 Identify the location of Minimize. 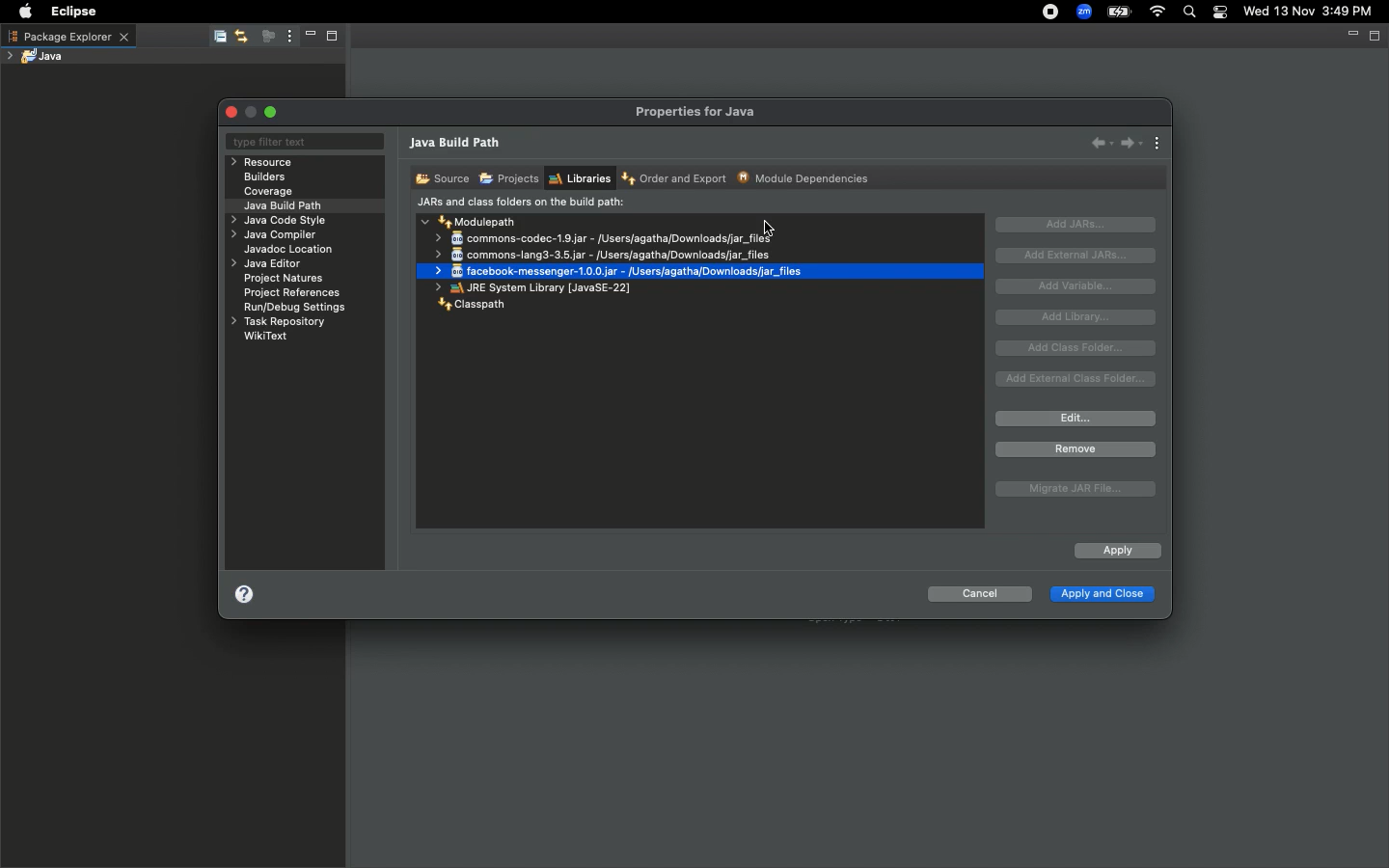
(309, 37).